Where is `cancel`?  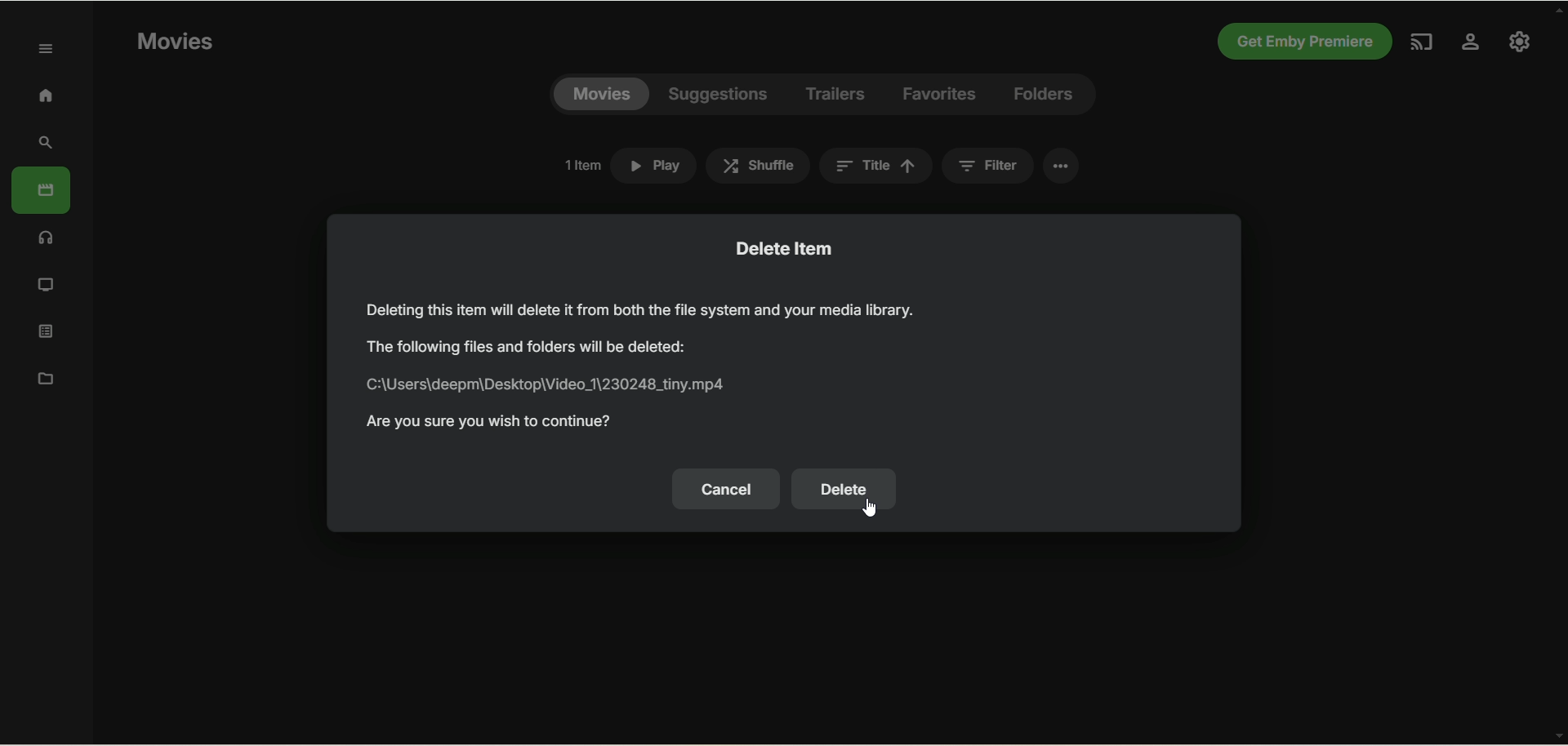 cancel is located at coordinates (726, 489).